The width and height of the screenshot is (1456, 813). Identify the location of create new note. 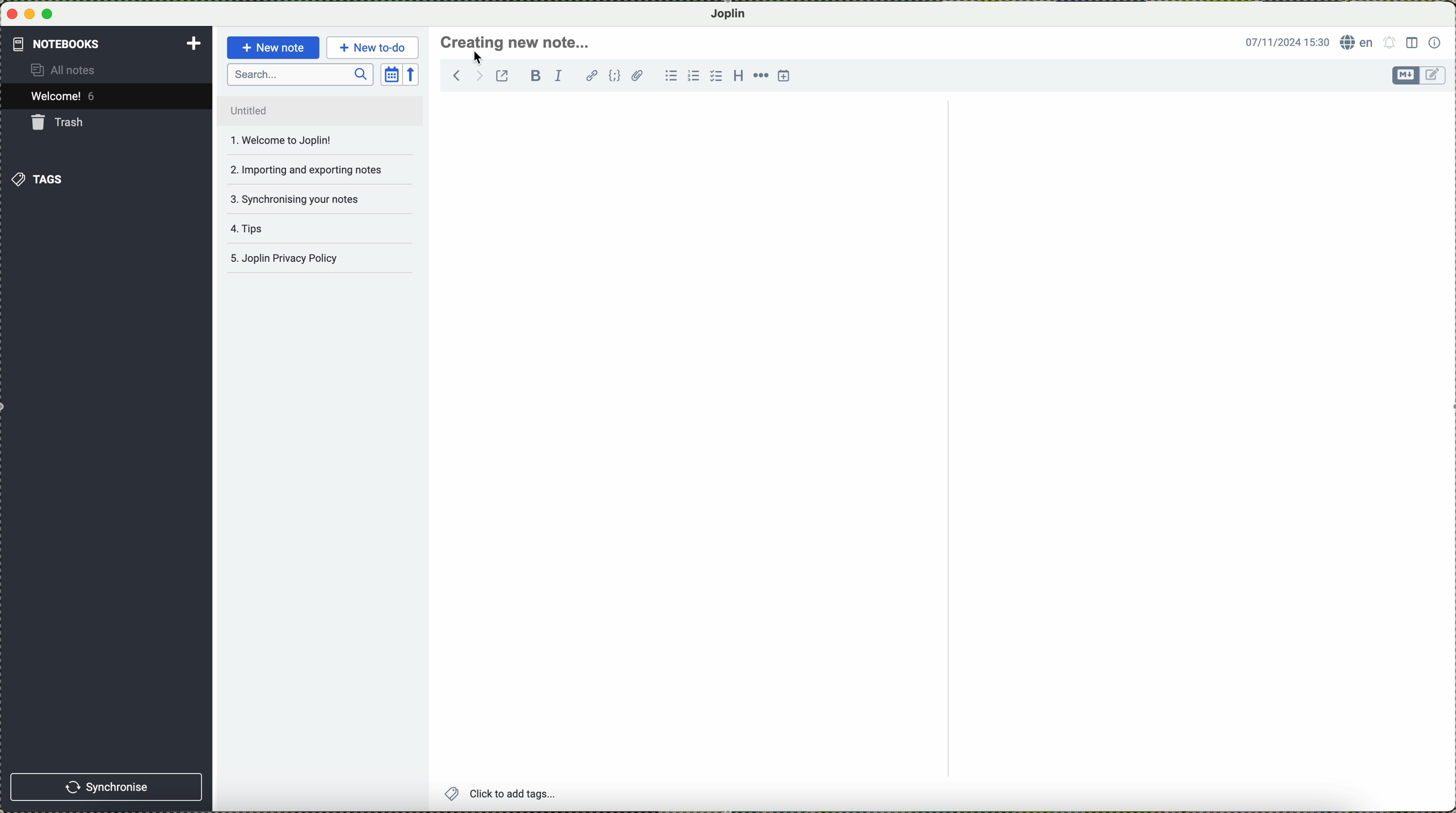
(516, 40).